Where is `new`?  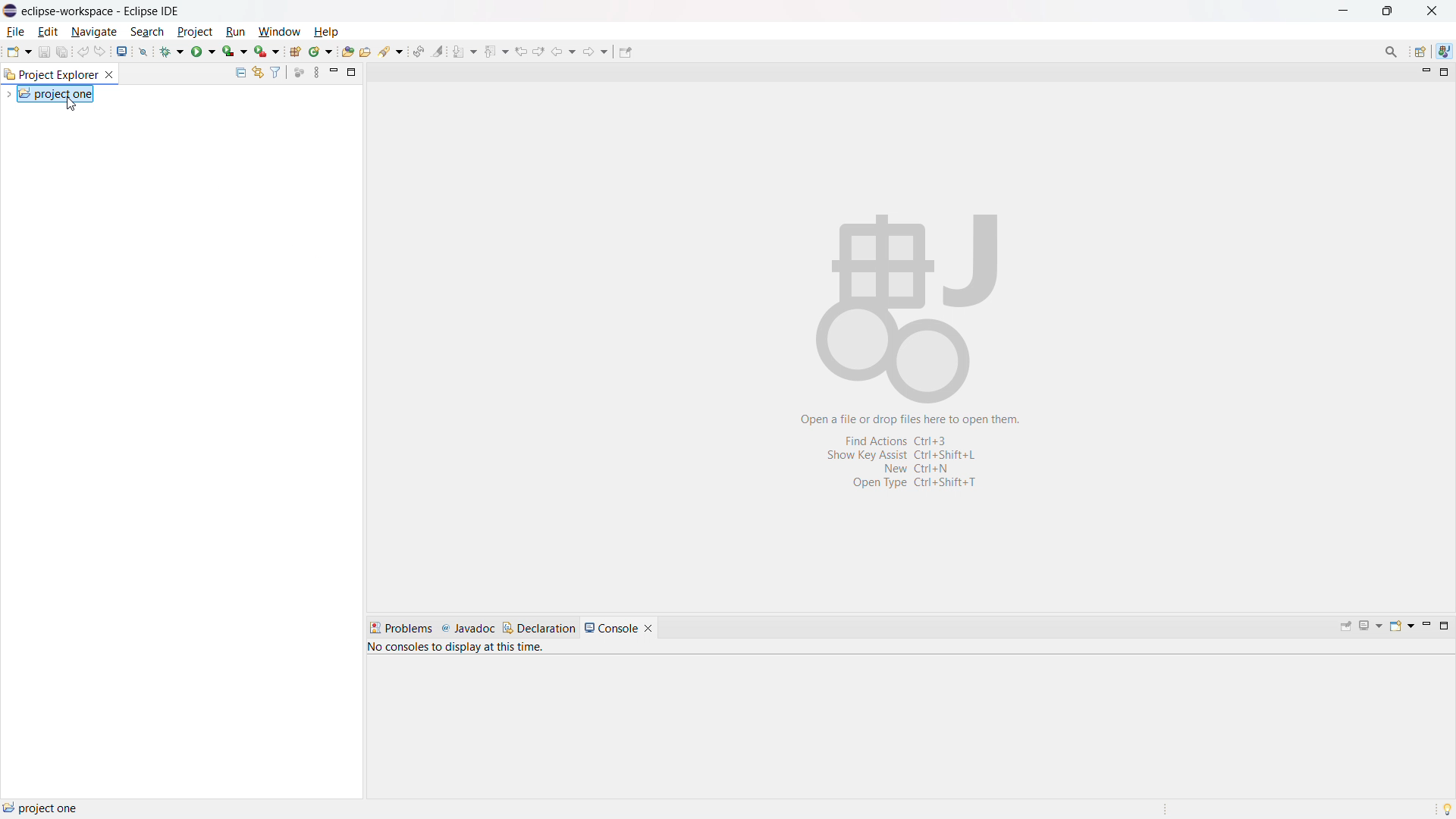
new is located at coordinates (18, 51).